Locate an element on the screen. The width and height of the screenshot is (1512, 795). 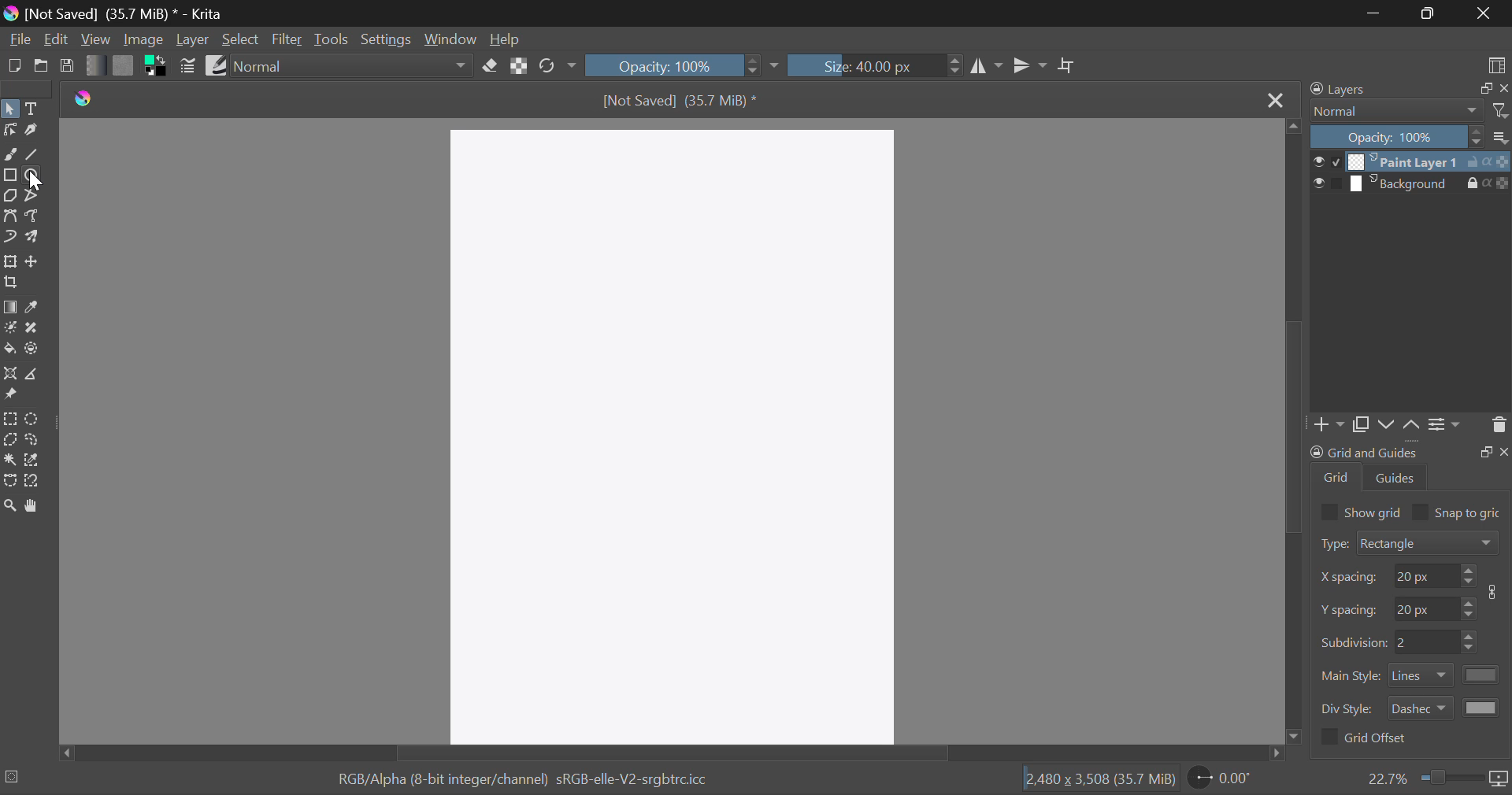
Bezier Curve is located at coordinates (10, 215).